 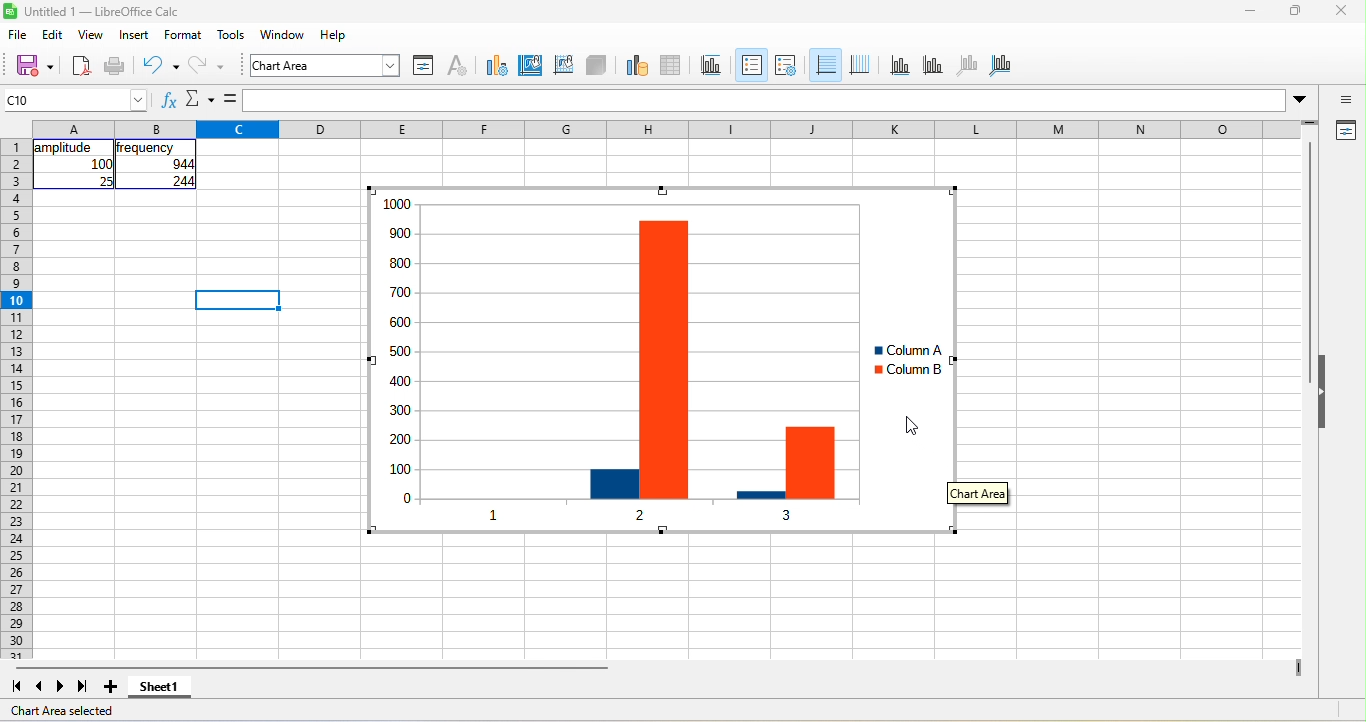 I want to click on y axis, so click(x=933, y=66).